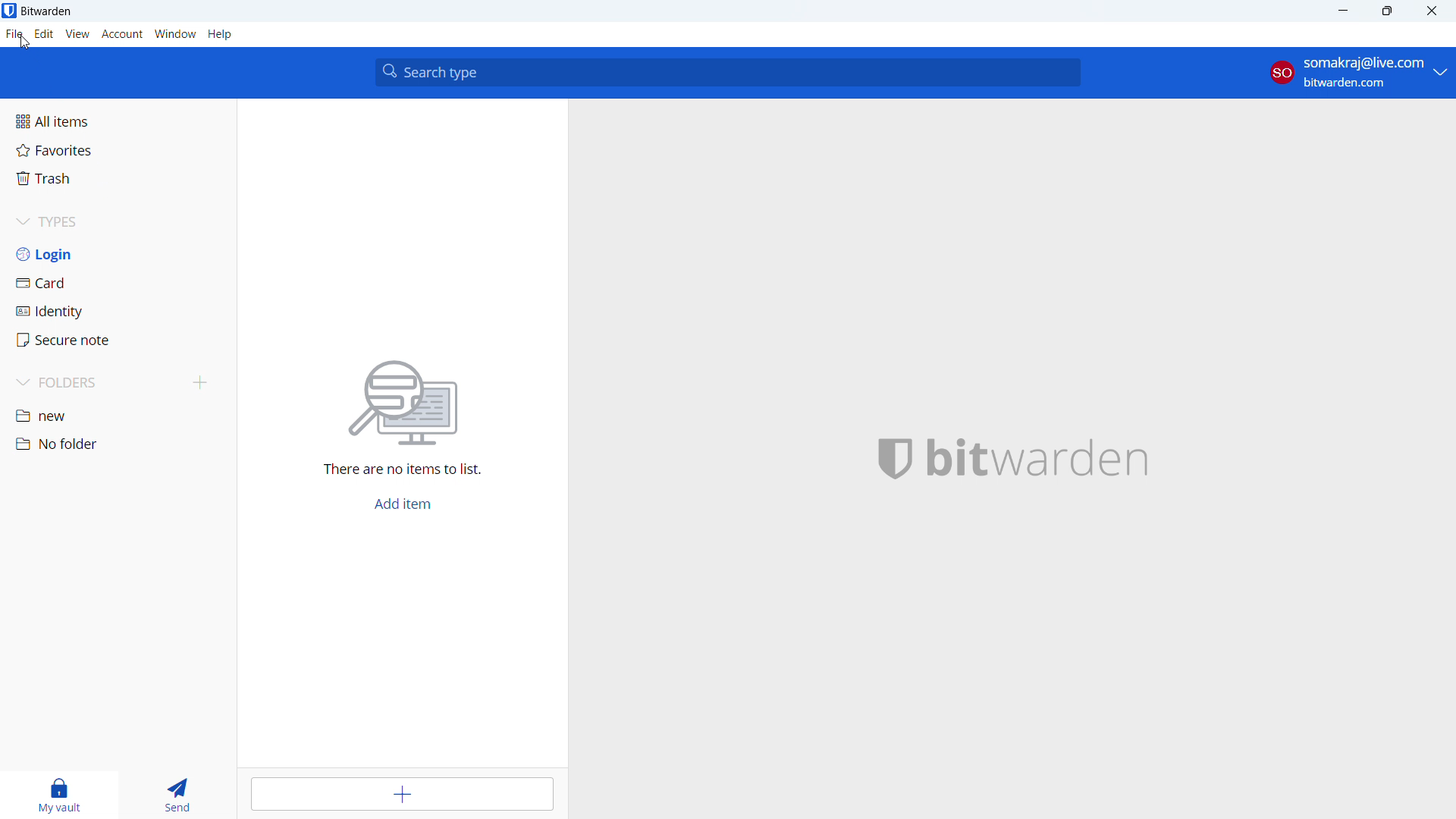 The height and width of the screenshot is (819, 1456). Describe the element at coordinates (119, 283) in the screenshot. I see `card` at that location.